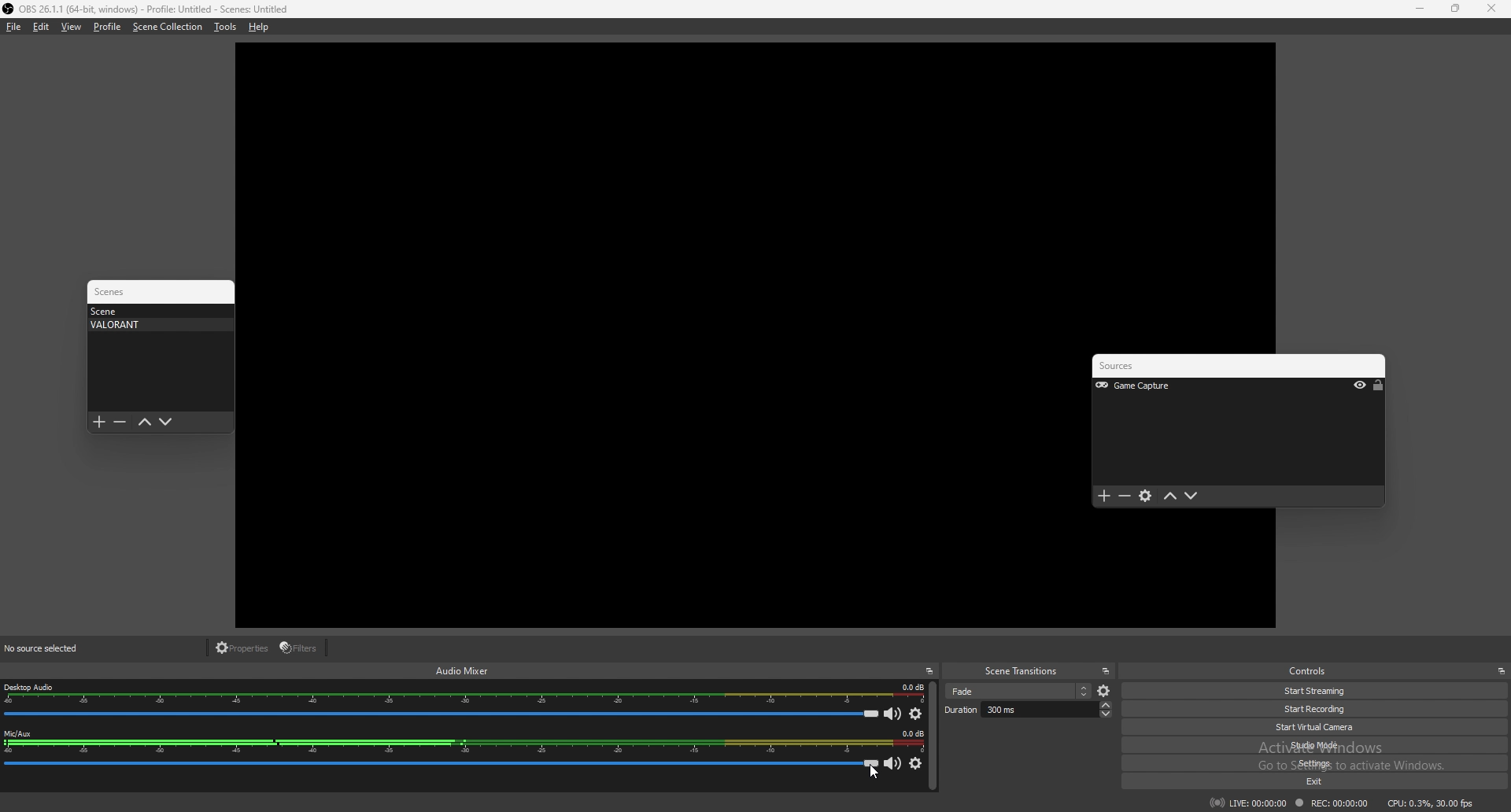 The image size is (1511, 812). Describe the element at coordinates (120, 423) in the screenshot. I see `remove` at that location.